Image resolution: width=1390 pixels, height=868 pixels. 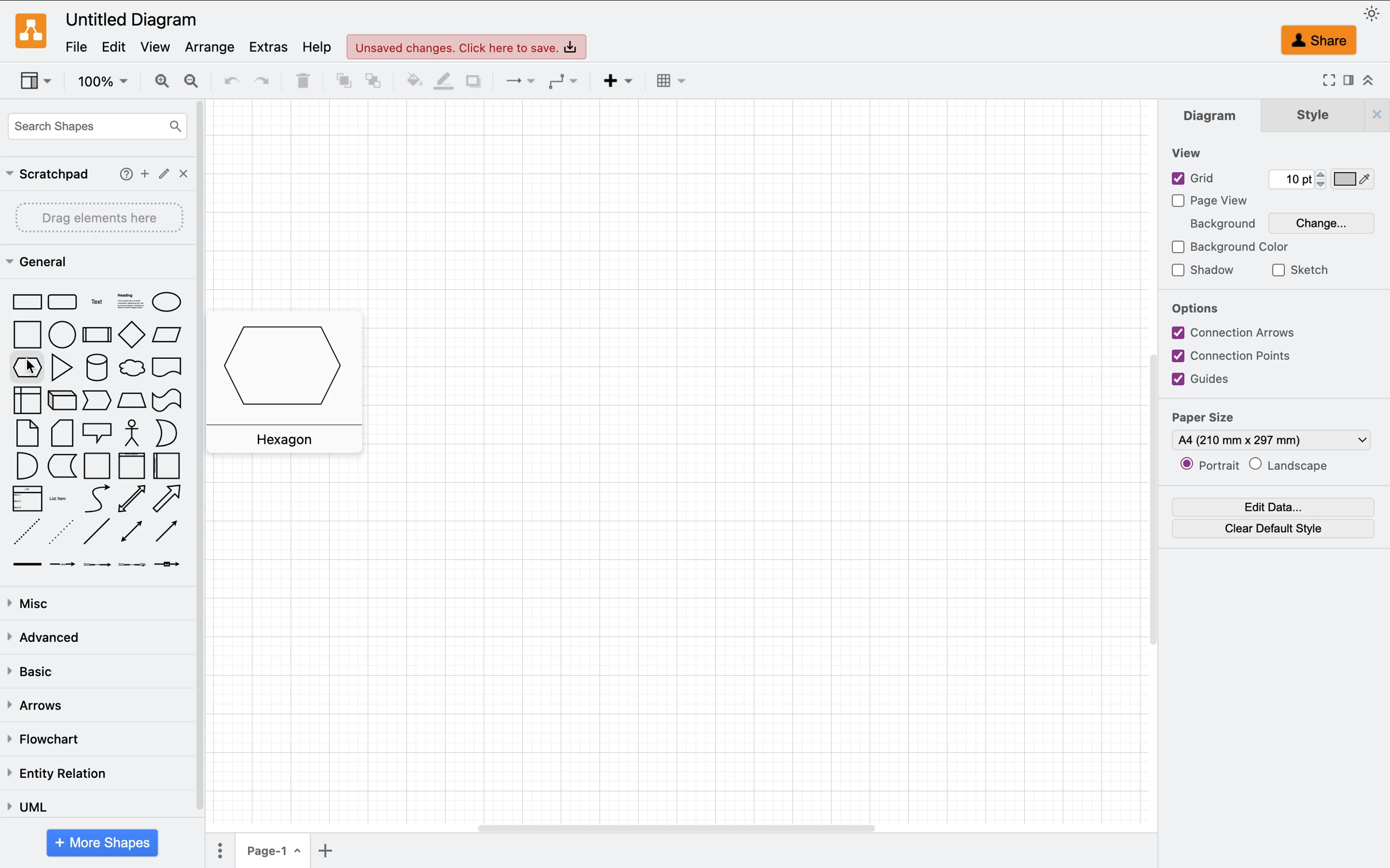 I want to click on format, so click(x=1347, y=82).